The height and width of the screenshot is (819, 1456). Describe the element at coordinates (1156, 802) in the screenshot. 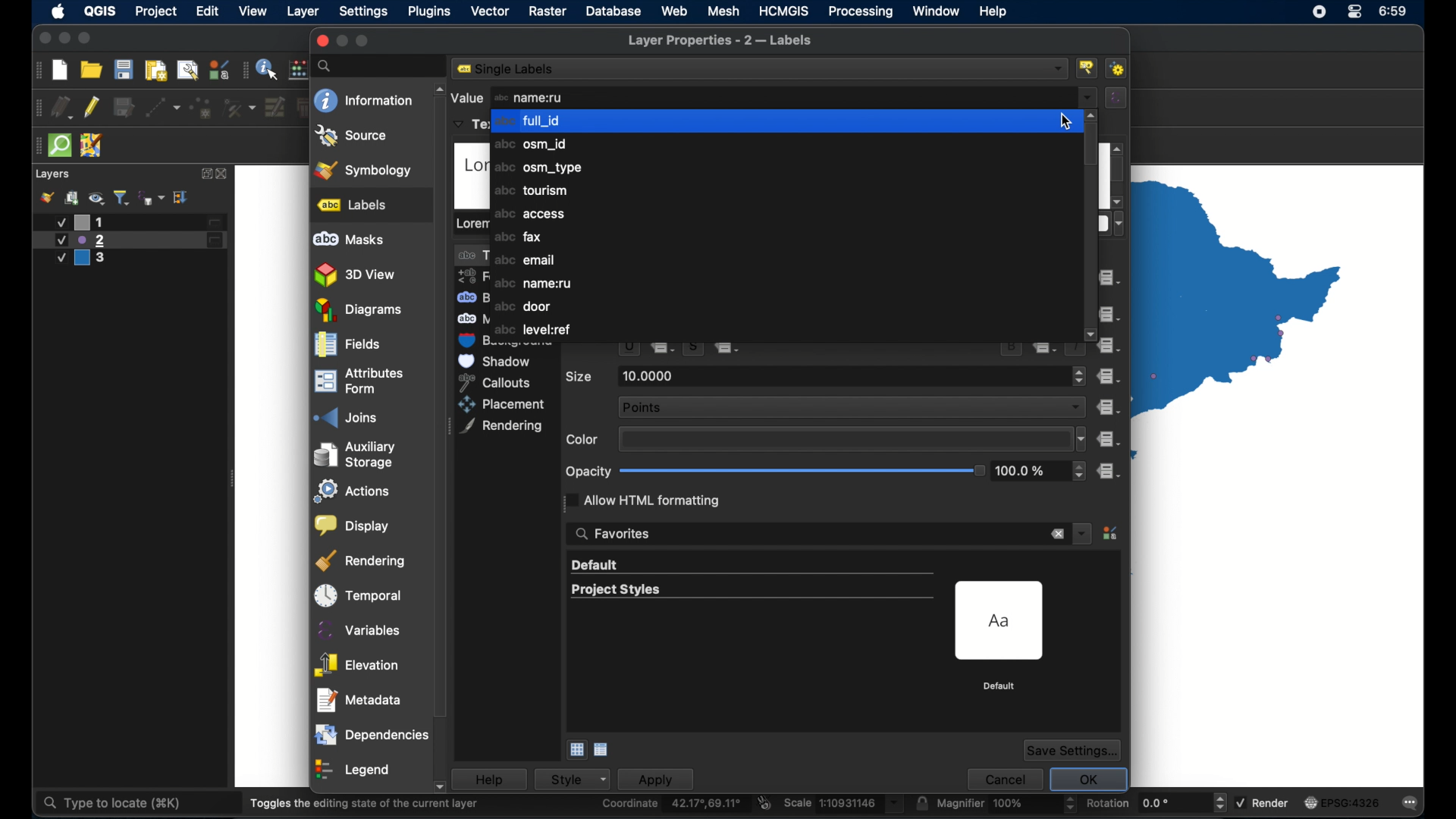

I see `rotation` at that location.